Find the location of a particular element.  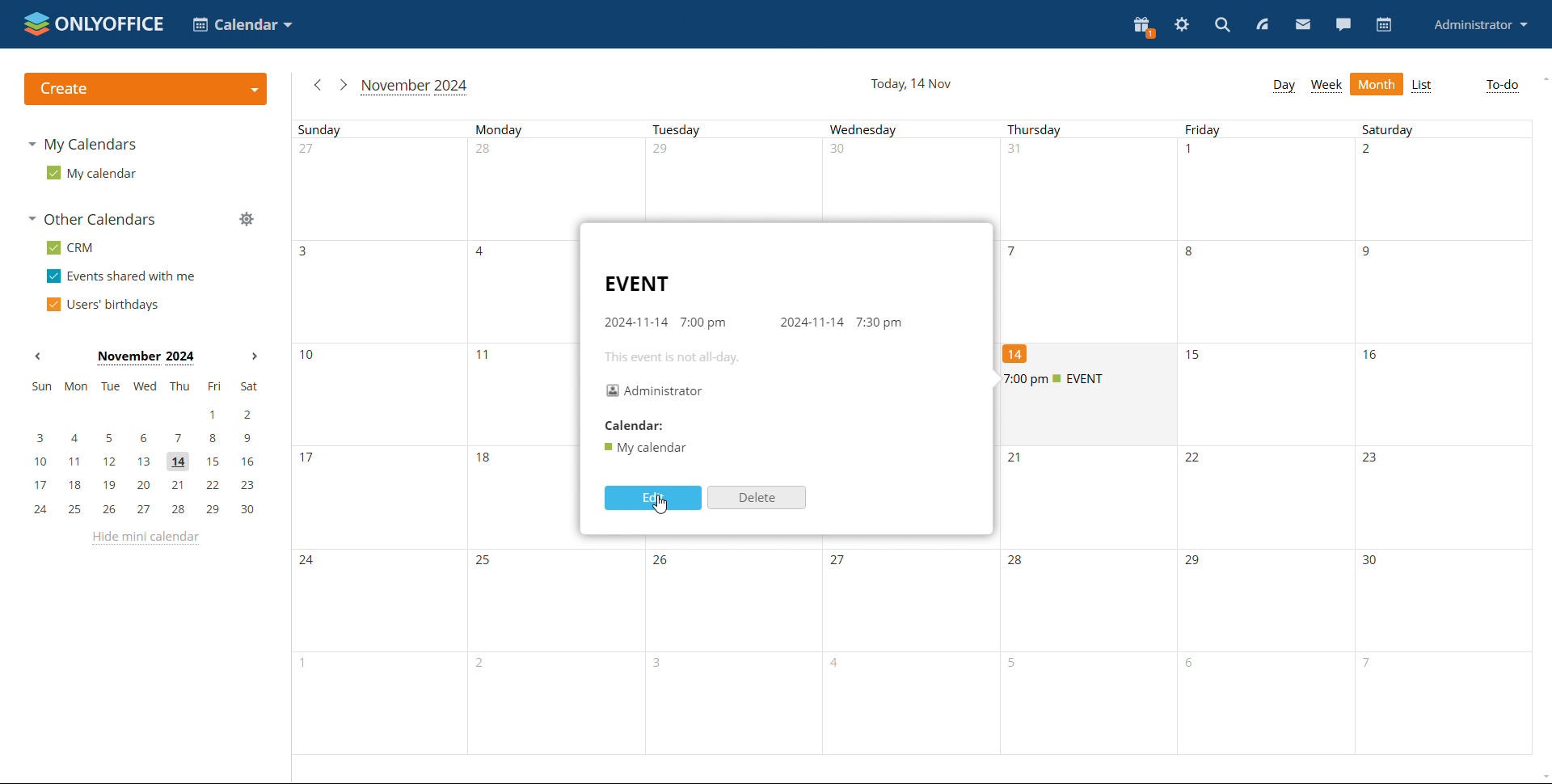

number is located at coordinates (485, 461).